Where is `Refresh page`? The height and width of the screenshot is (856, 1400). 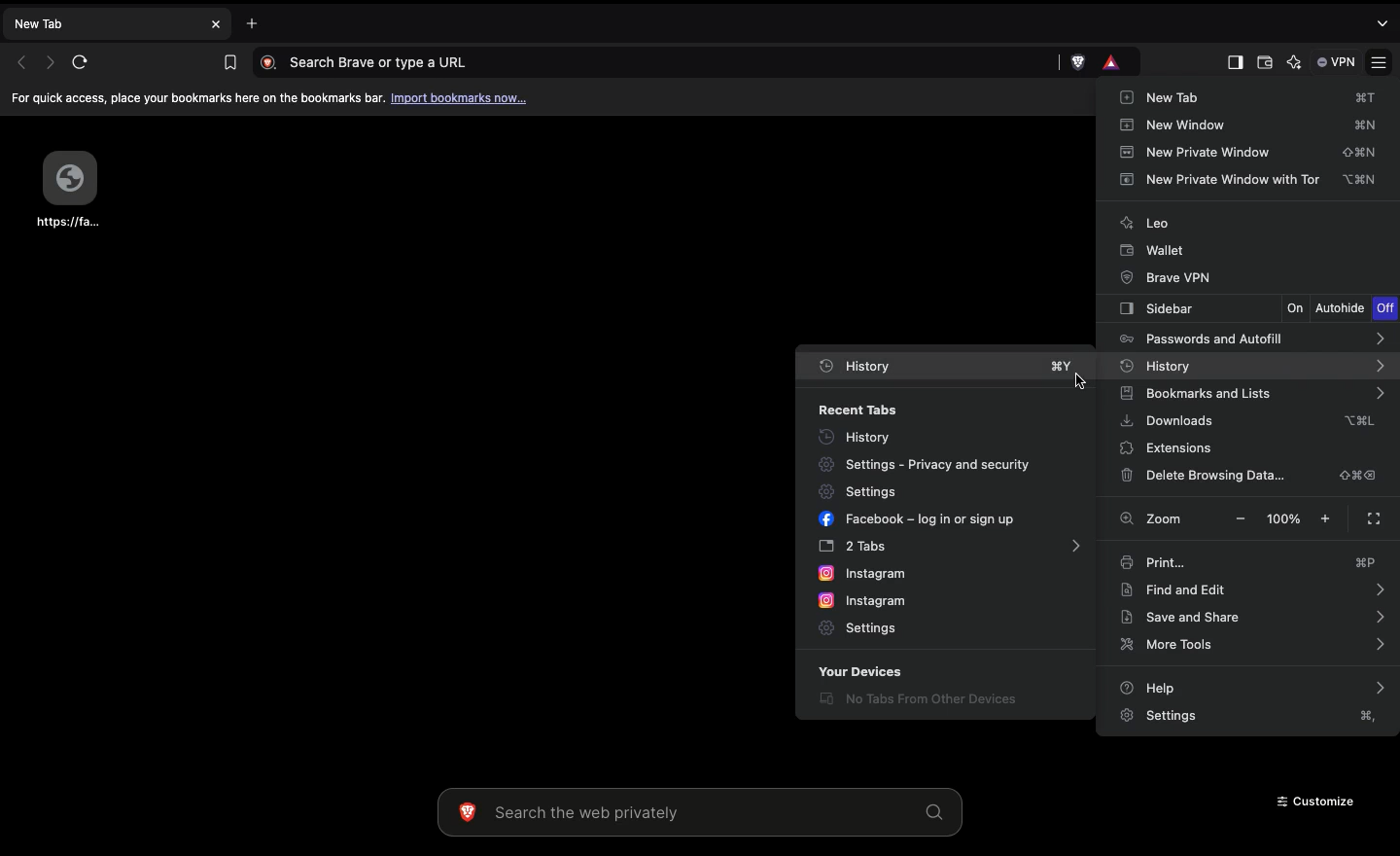
Refresh page is located at coordinates (80, 61).